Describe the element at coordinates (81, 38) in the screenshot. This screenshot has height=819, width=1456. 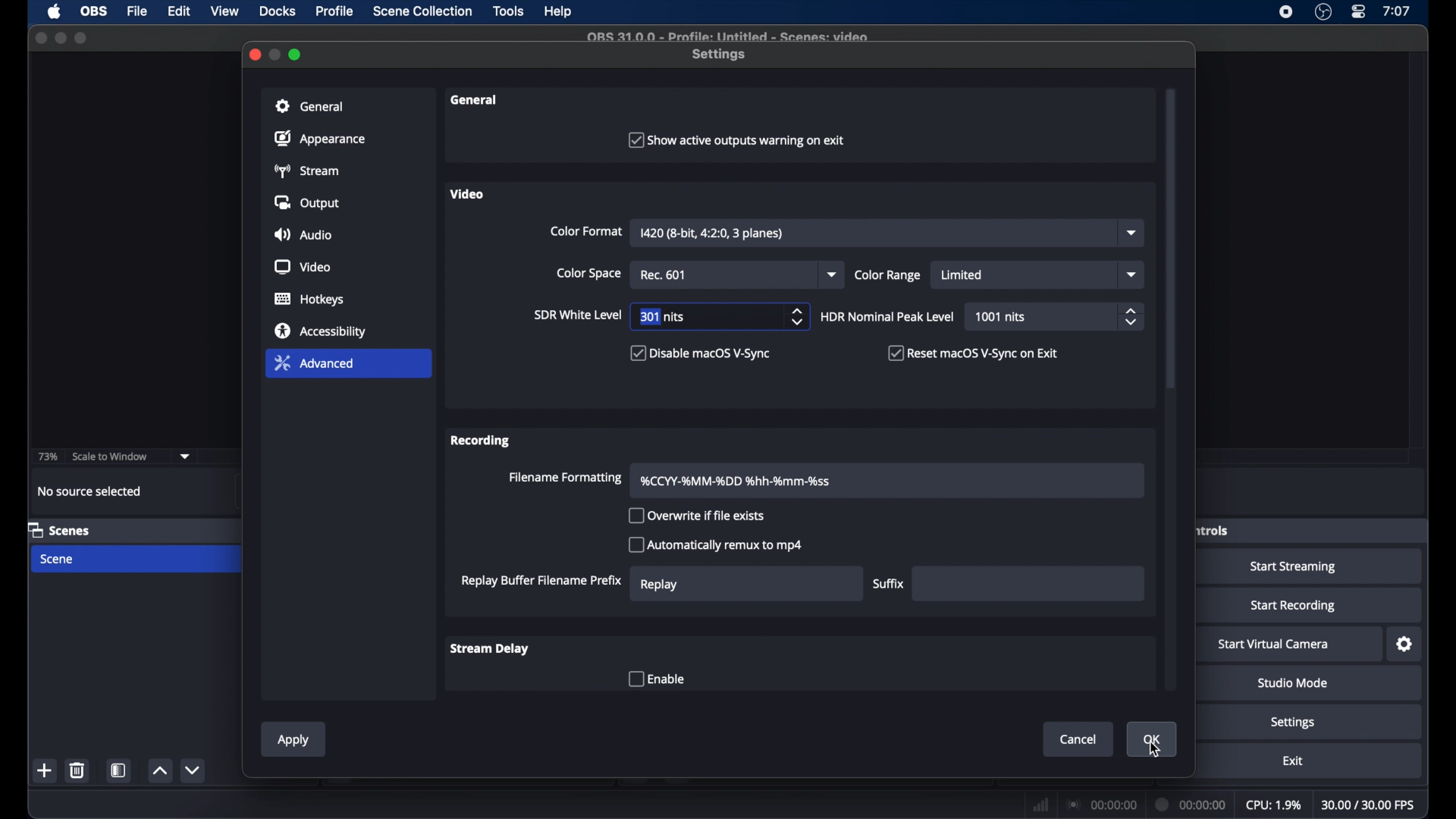
I see `maximize` at that location.